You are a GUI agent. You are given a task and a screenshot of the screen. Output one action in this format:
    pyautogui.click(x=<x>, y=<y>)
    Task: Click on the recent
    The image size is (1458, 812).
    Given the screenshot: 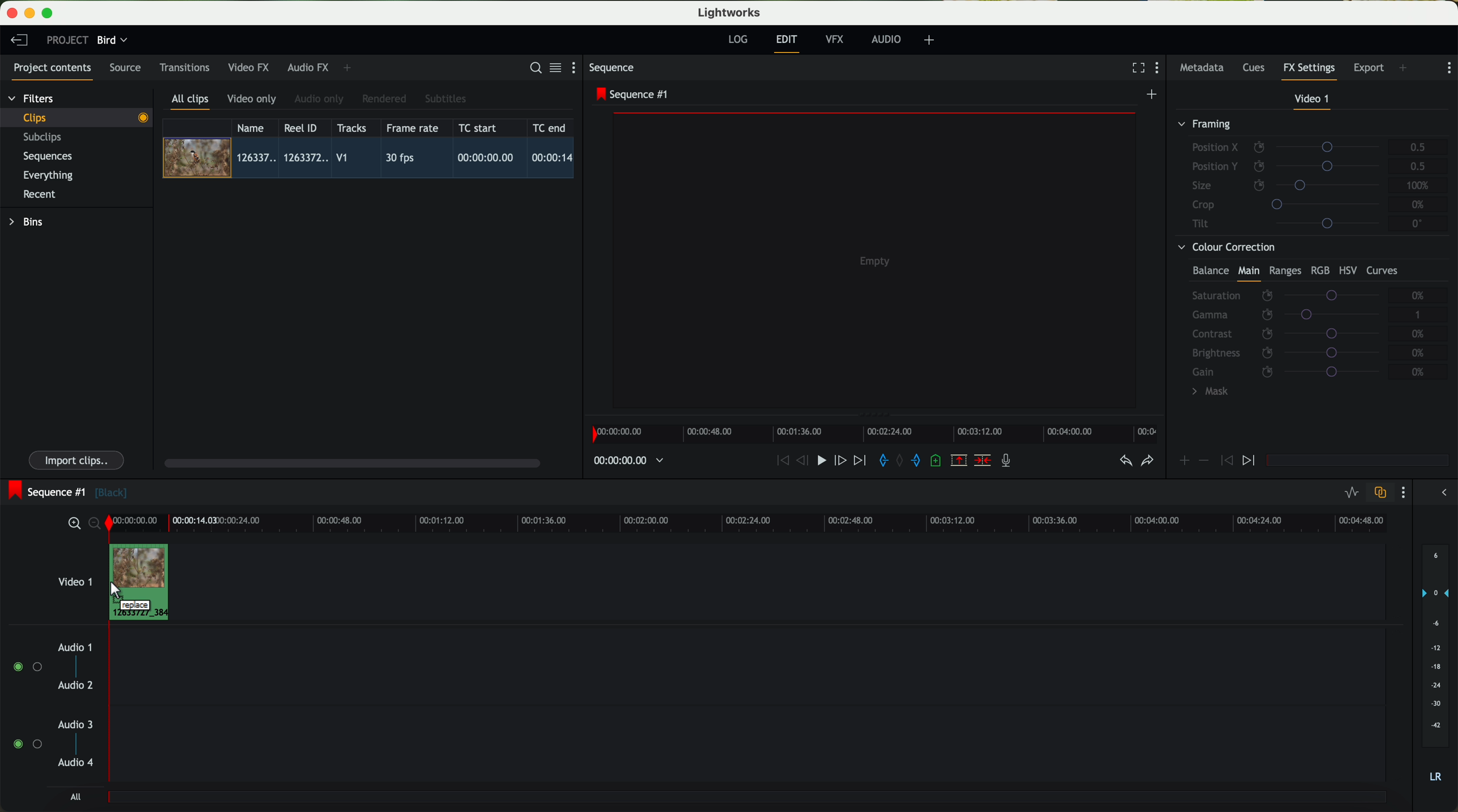 What is the action you would take?
    pyautogui.click(x=40, y=196)
    